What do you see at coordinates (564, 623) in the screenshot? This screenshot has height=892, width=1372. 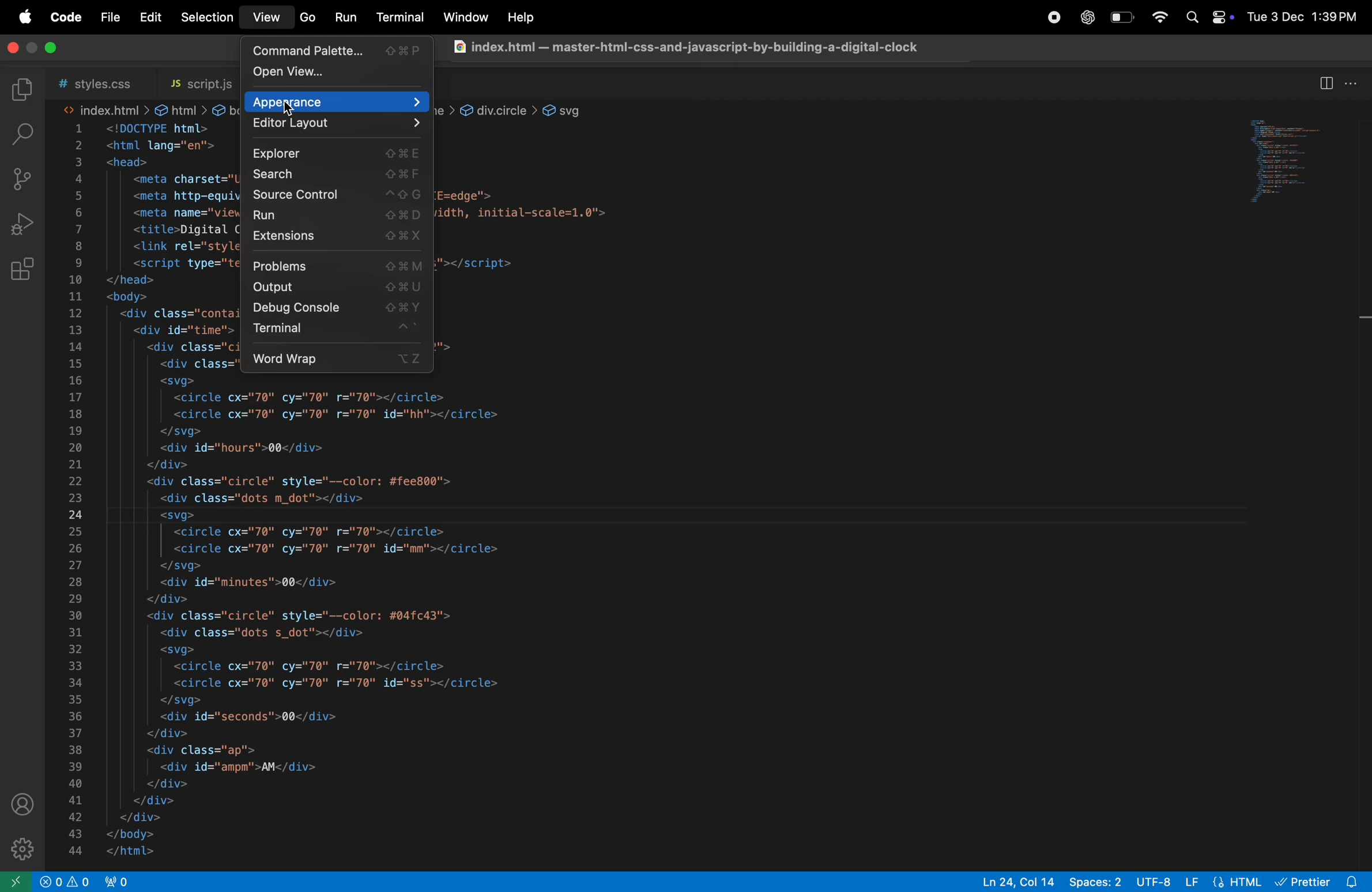 I see `code block from line 17` at bounding box center [564, 623].